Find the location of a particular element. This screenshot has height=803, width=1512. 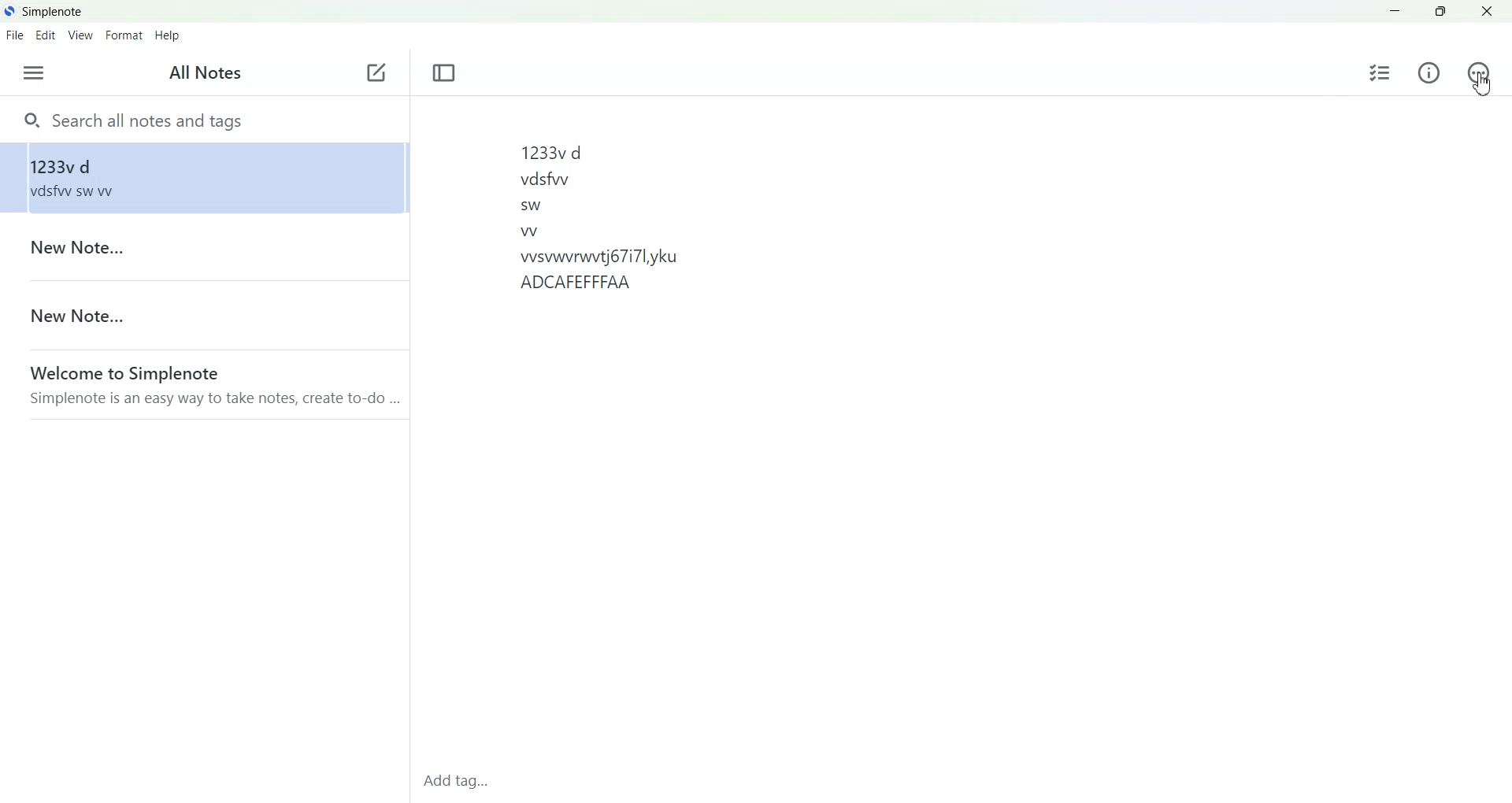

Add Note is located at coordinates (376, 73).